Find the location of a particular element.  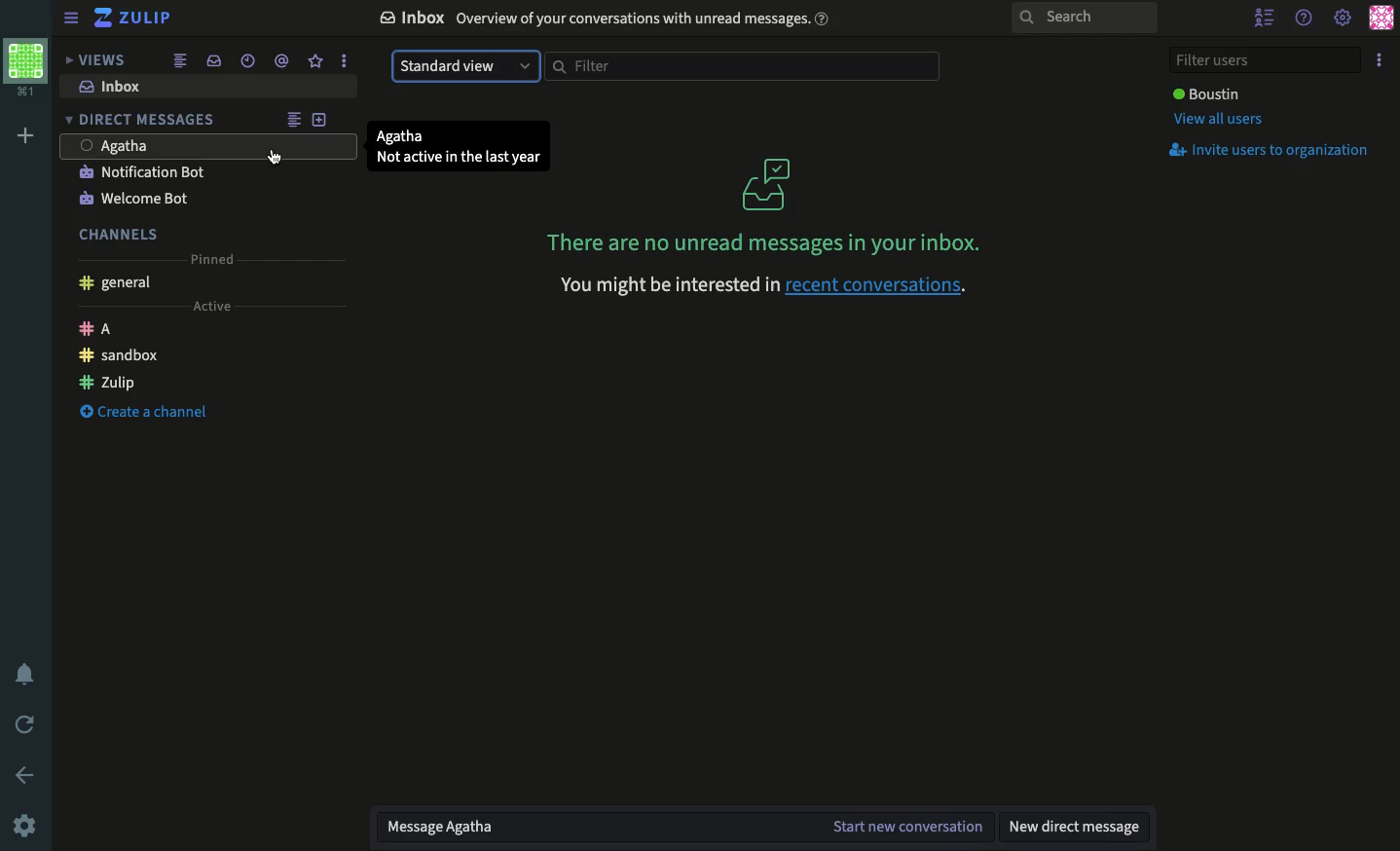

Create a channel is located at coordinates (140, 413).